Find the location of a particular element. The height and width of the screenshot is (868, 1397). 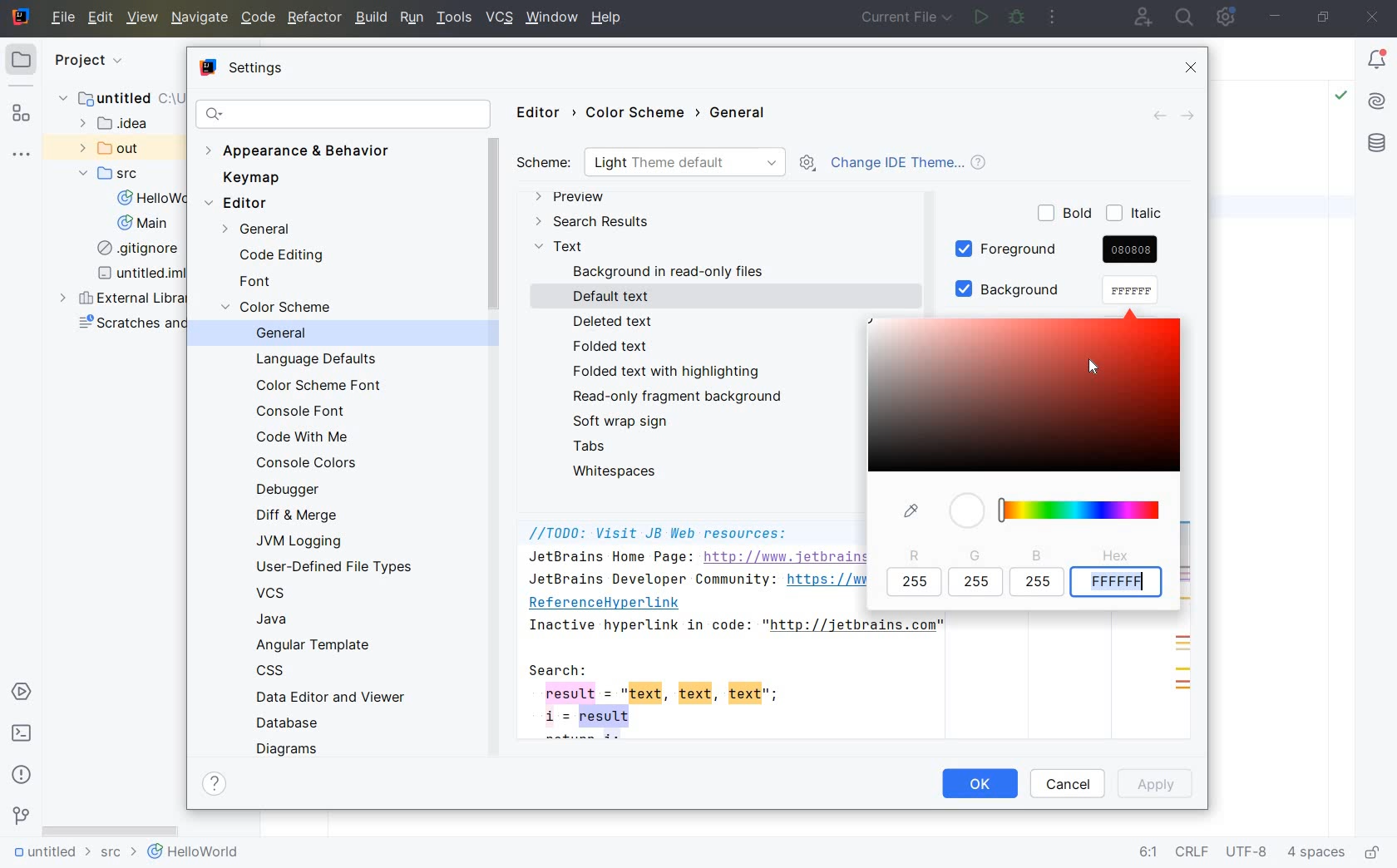

version control is located at coordinates (20, 818).